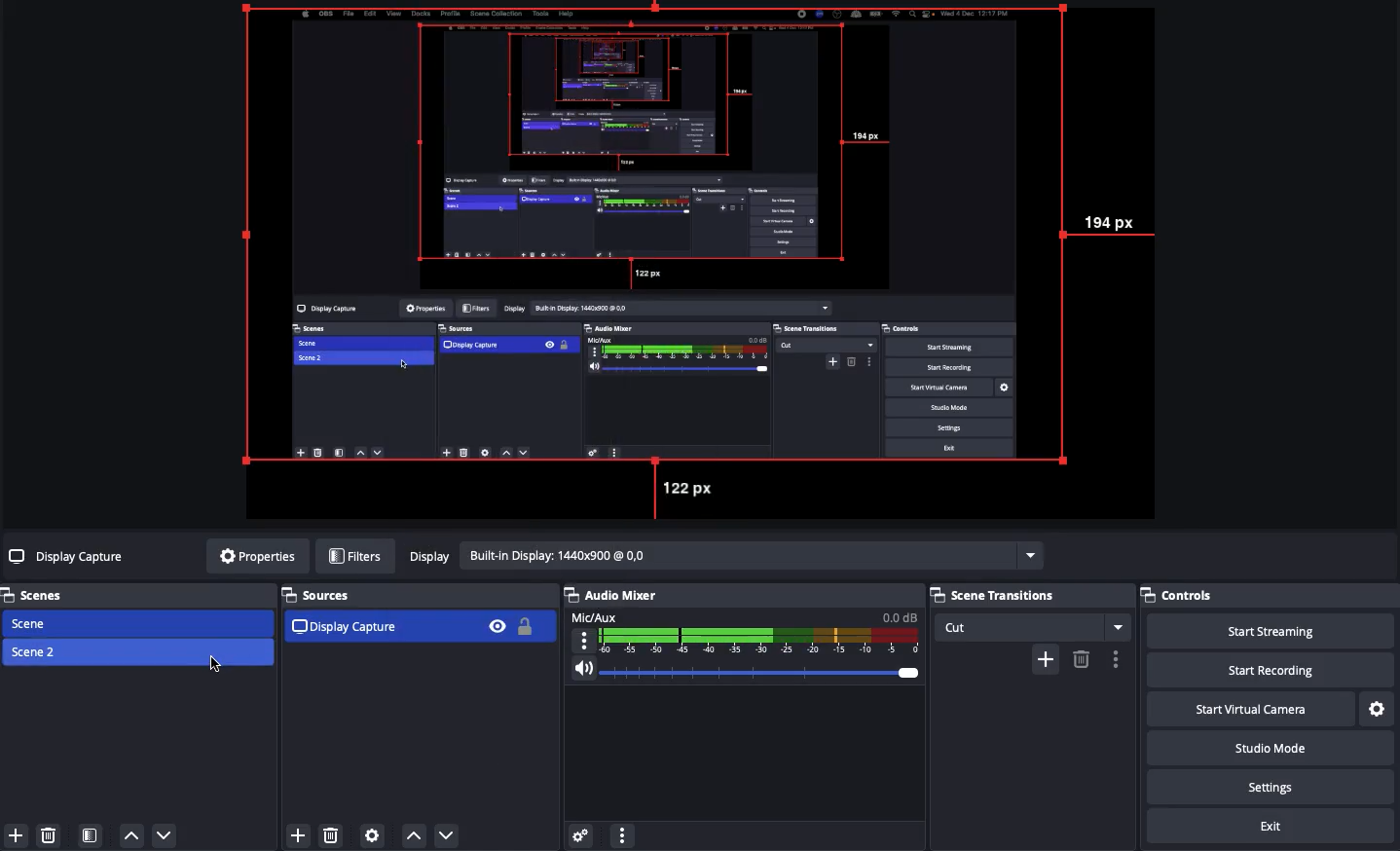 The height and width of the screenshot is (851, 1400). What do you see at coordinates (624, 834) in the screenshot?
I see `Options` at bounding box center [624, 834].